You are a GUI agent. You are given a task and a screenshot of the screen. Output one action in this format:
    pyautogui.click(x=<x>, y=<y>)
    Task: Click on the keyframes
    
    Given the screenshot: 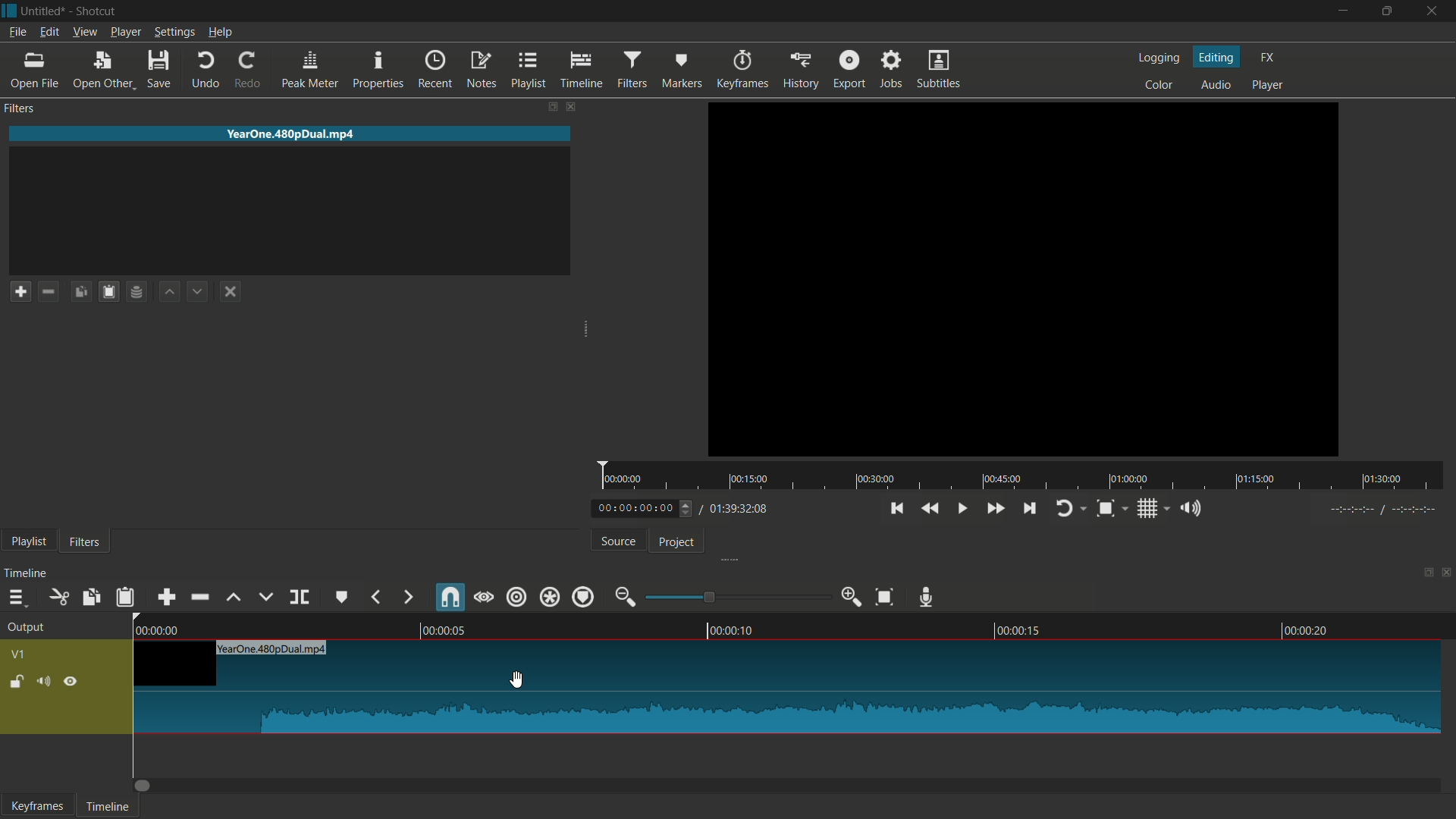 What is the action you would take?
    pyautogui.click(x=36, y=806)
    